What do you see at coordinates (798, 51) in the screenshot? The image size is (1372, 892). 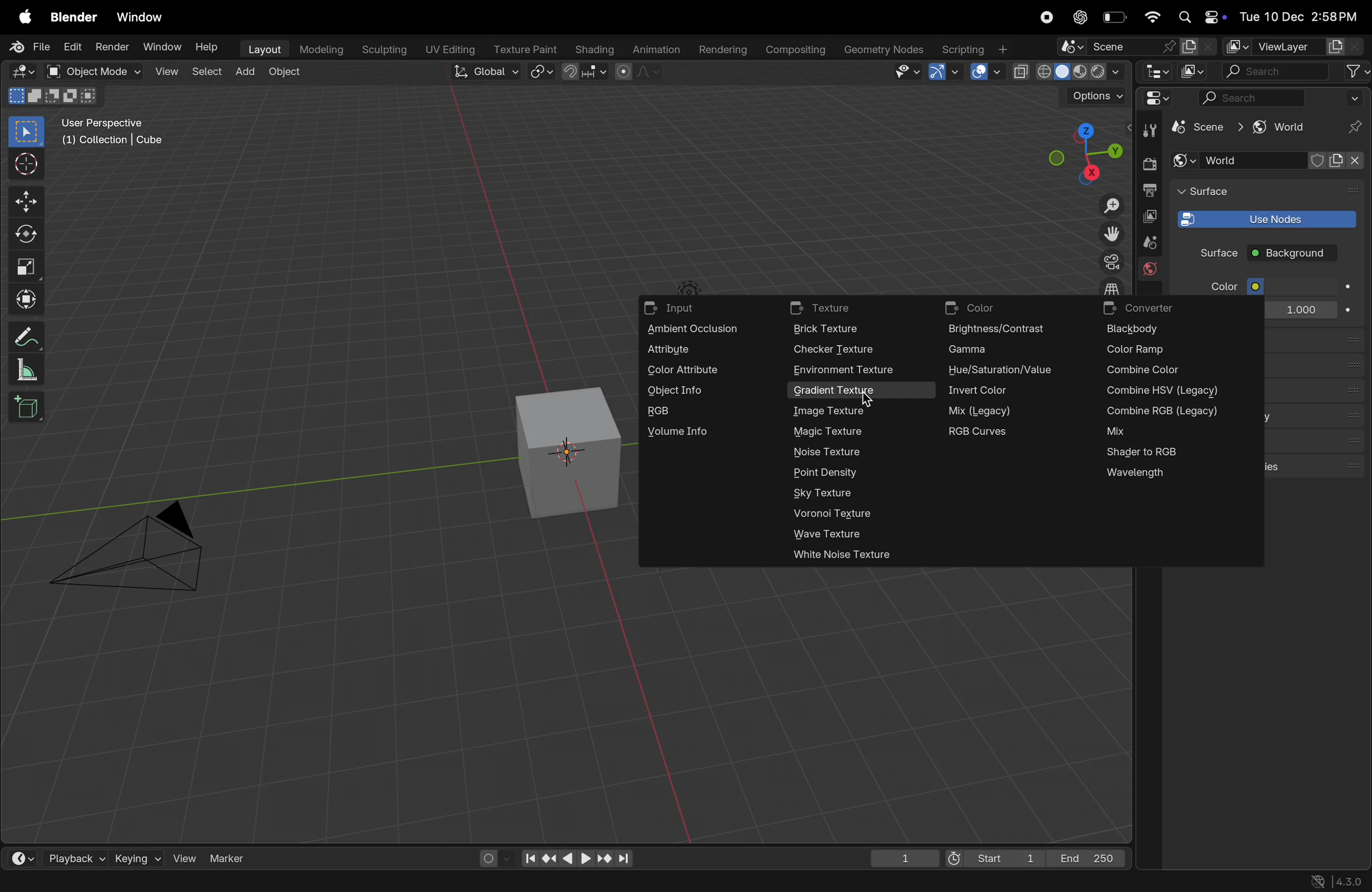 I see `Composting` at bounding box center [798, 51].